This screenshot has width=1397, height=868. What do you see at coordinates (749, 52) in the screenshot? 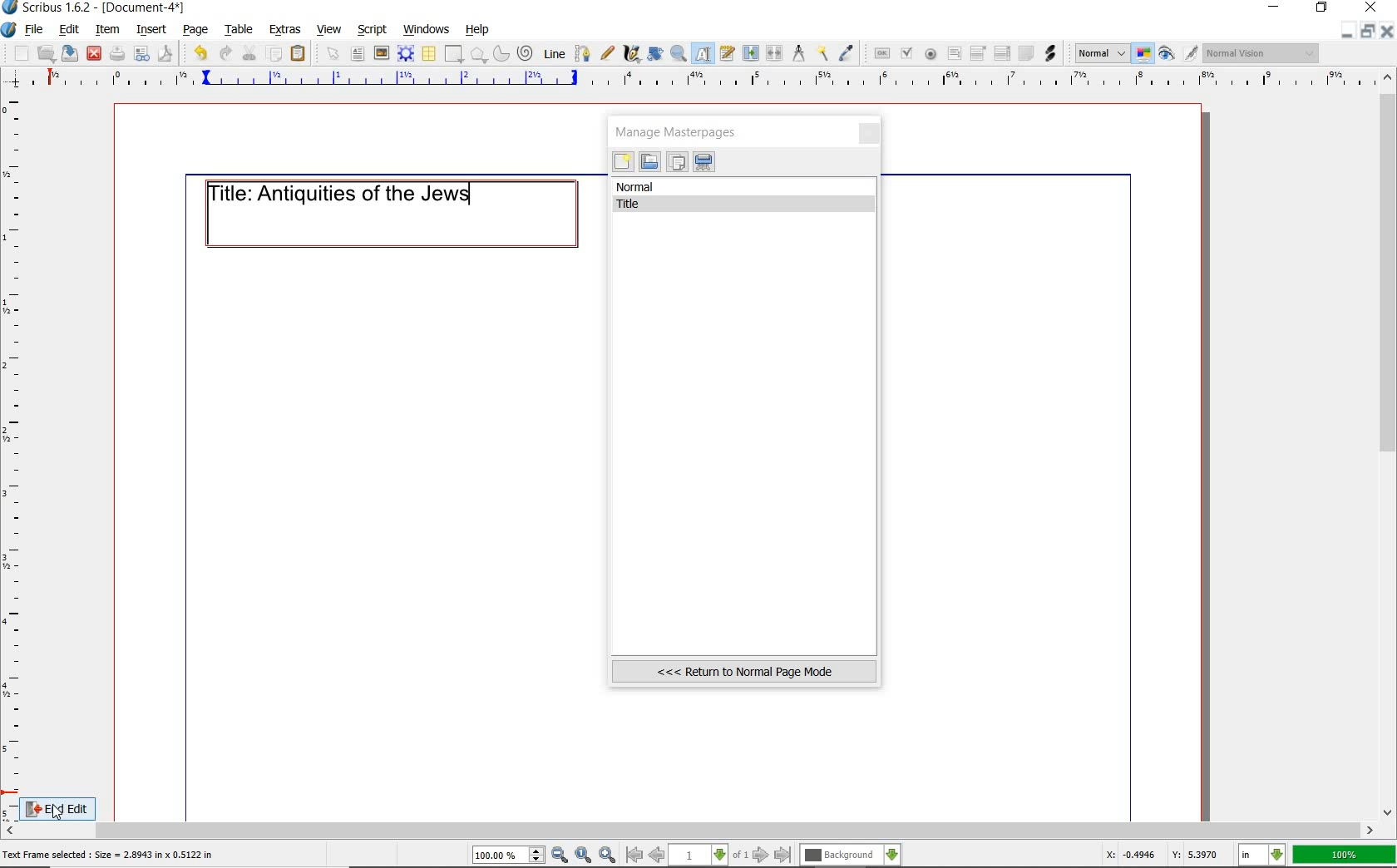
I see `link text frames` at bounding box center [749, 52].